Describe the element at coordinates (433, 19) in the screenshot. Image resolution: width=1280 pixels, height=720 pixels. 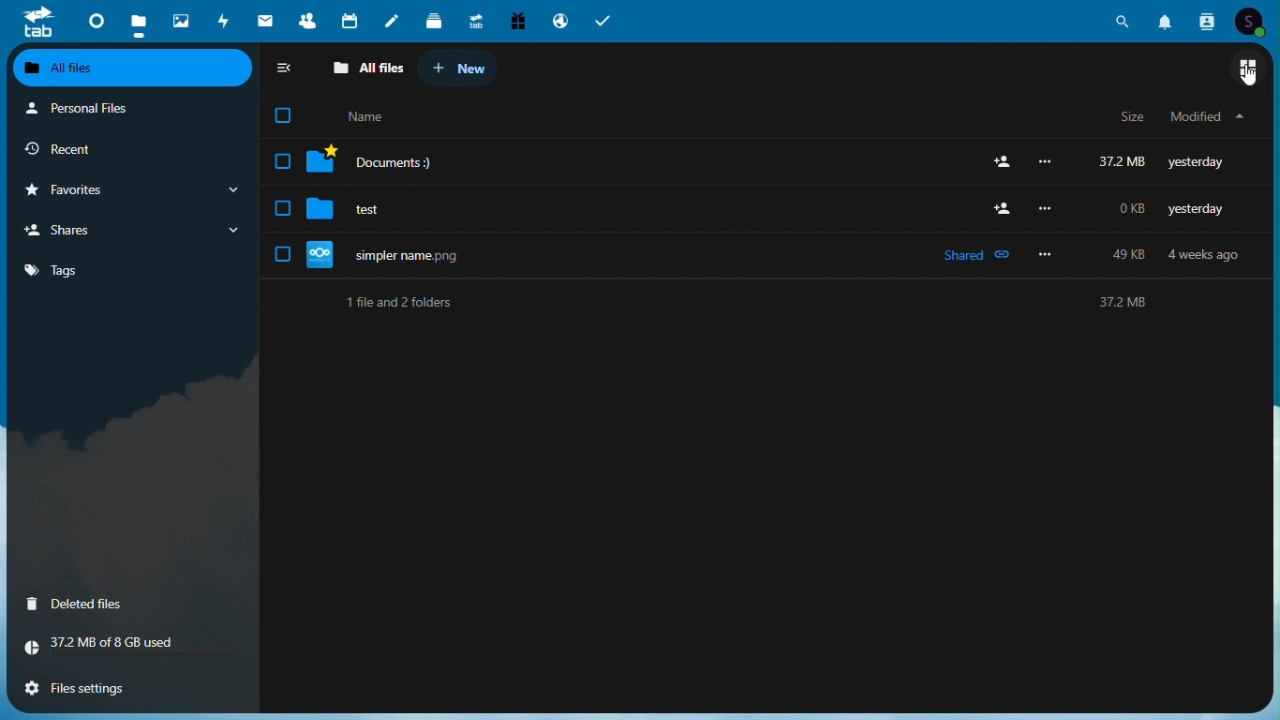
I see `deck` at that location.